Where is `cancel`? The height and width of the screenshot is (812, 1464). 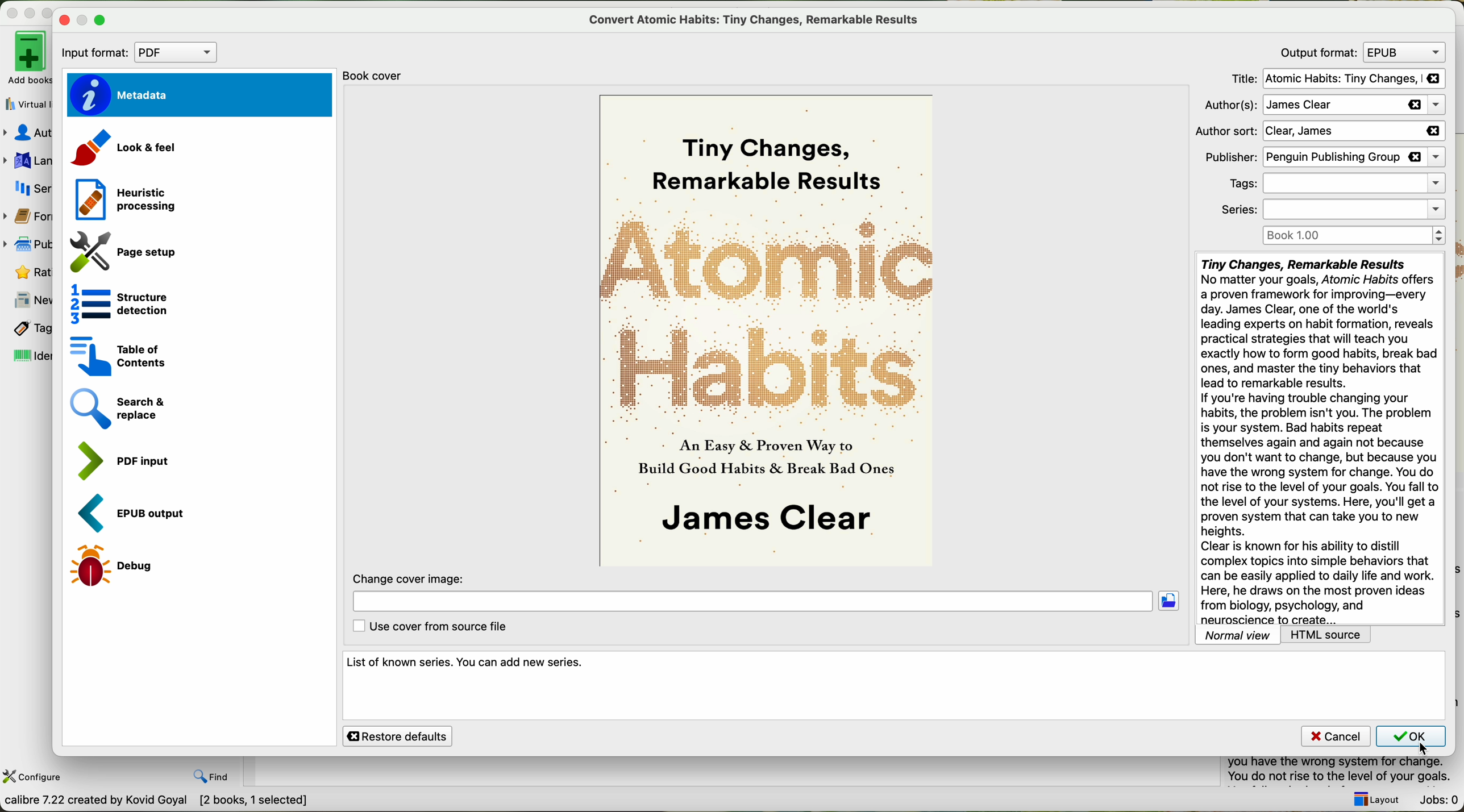
cancel is located at coordinates (1335, 735).